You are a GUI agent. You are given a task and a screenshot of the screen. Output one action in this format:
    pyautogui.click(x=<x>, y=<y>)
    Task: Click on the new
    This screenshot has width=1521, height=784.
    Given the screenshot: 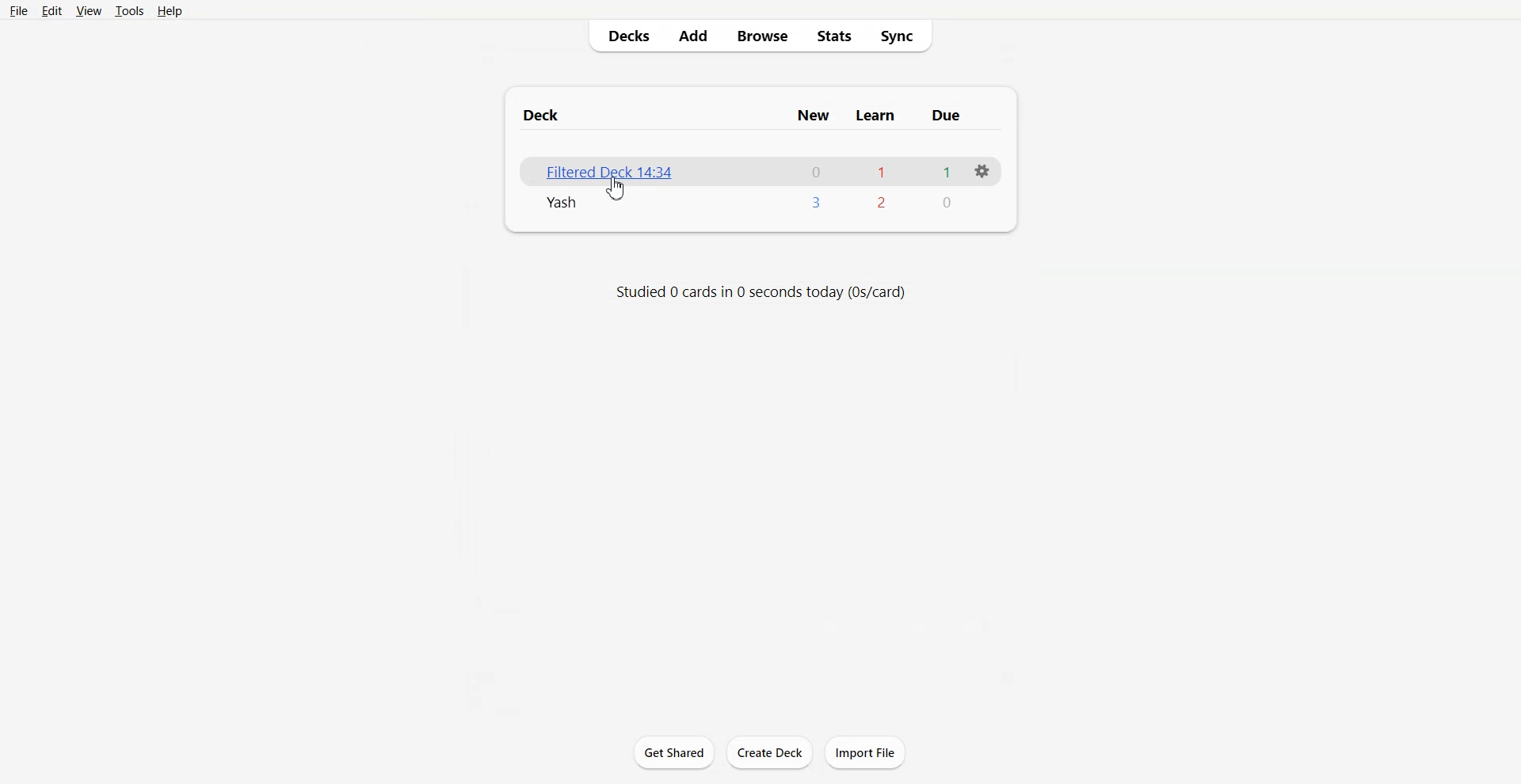 What is the action you would take?
    pyautogui.click(x=815, y=116)
    